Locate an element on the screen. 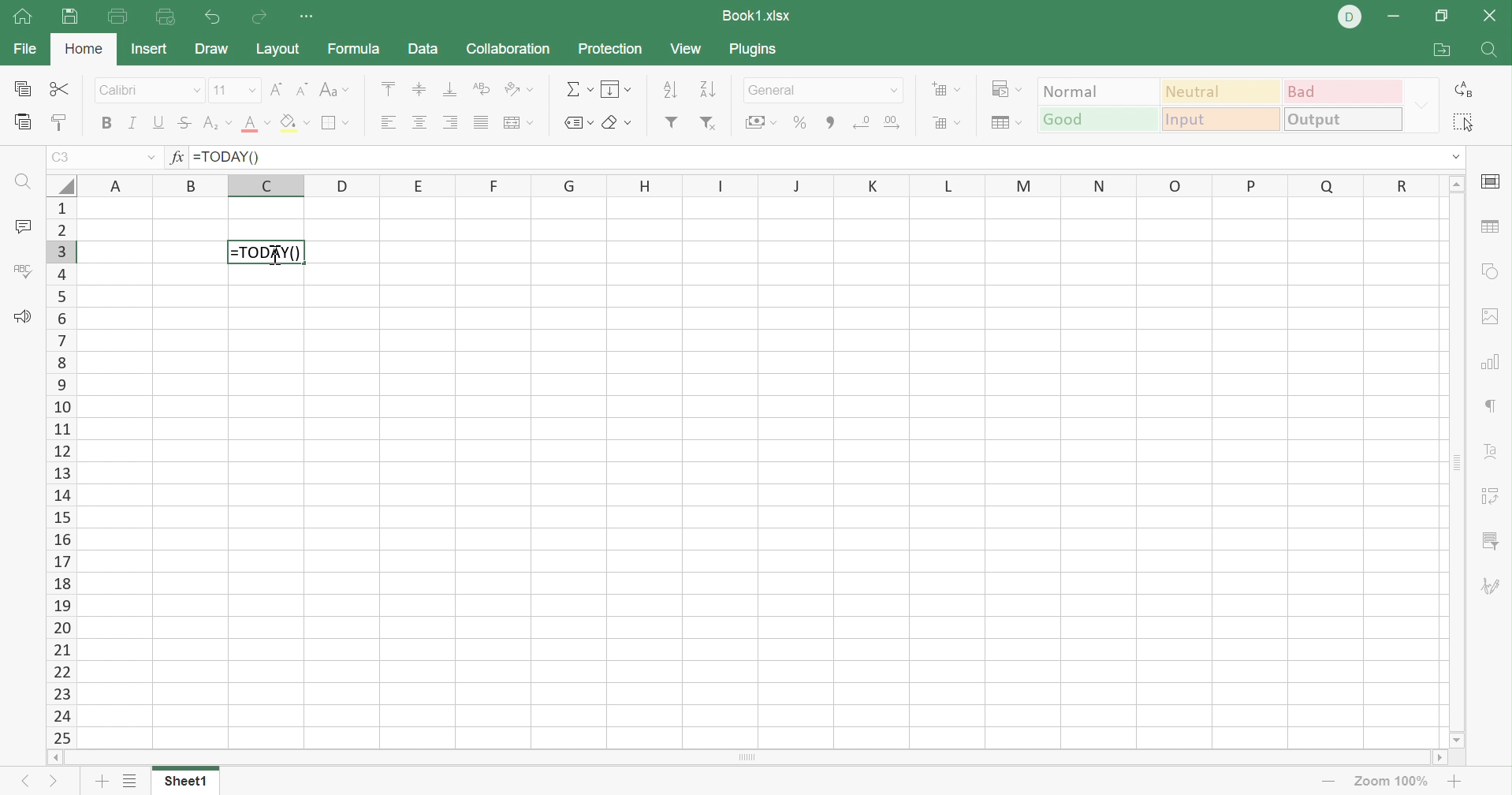 This screenshot has height=795, width=1512. Image settings is located at coordinates (1495, 318).